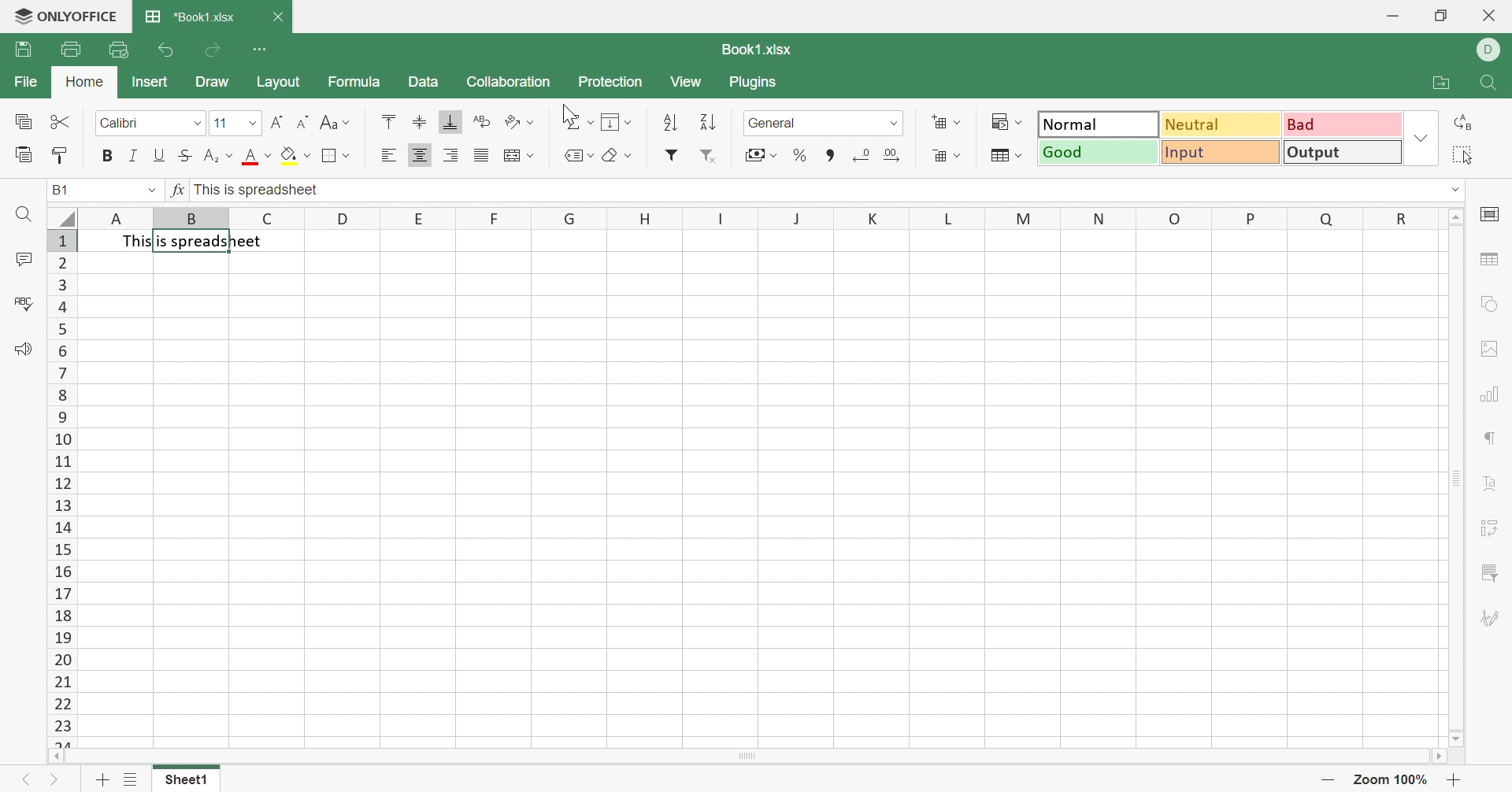 The width and height of the screenshot is (1512, 792). I want to click on fx, so click(180, 189).